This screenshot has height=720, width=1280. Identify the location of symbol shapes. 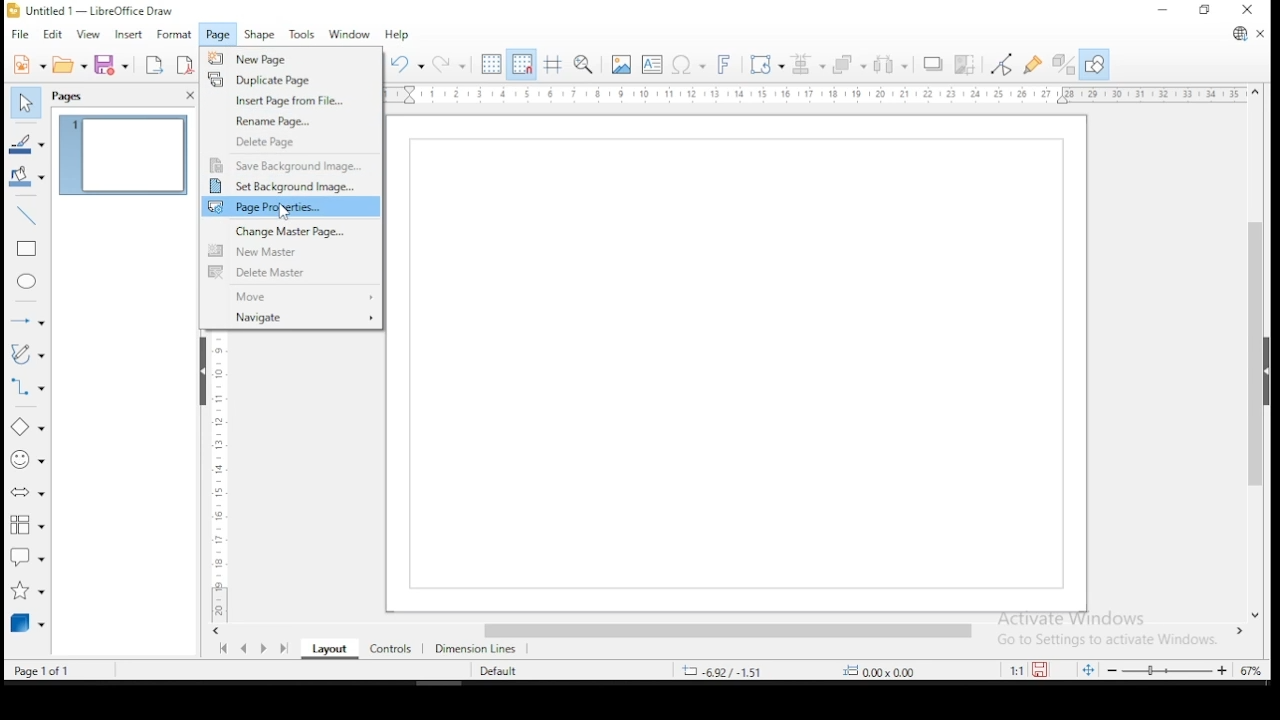
(25, 465).